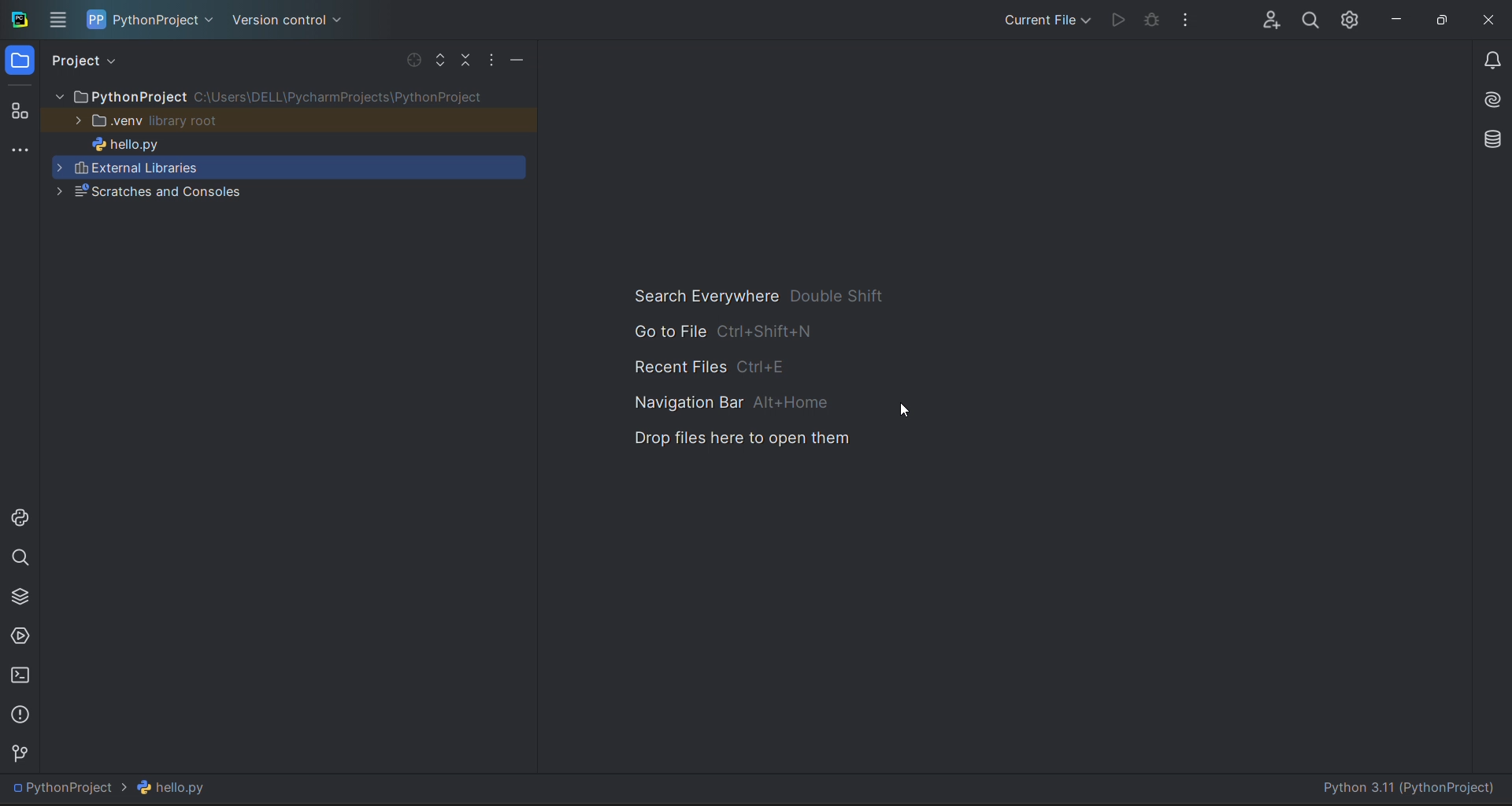 Image resolution: width=1512 pixels, height=806 pixels. I want to click on project, so click(150, 20).